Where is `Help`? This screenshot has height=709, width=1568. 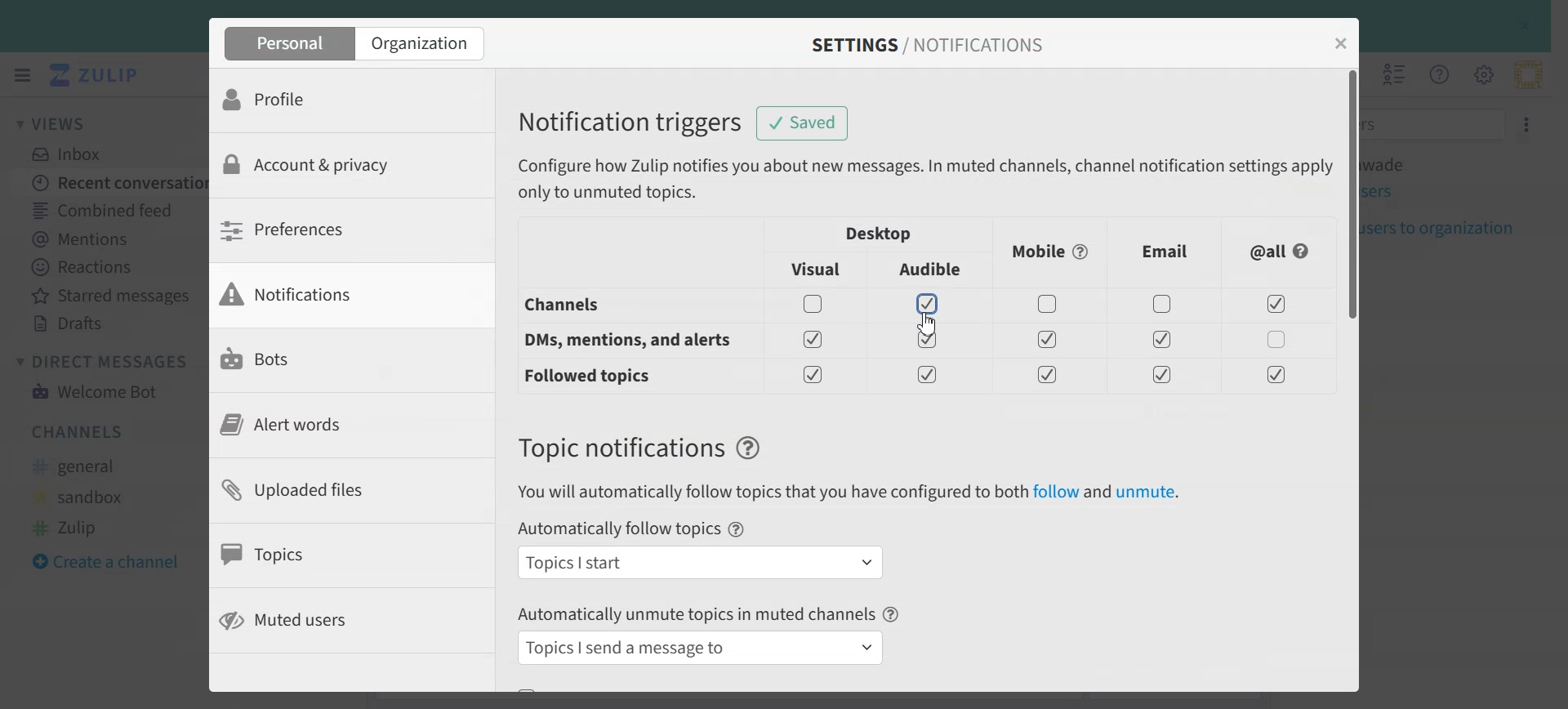
Help is located at coordinates (737, 529).